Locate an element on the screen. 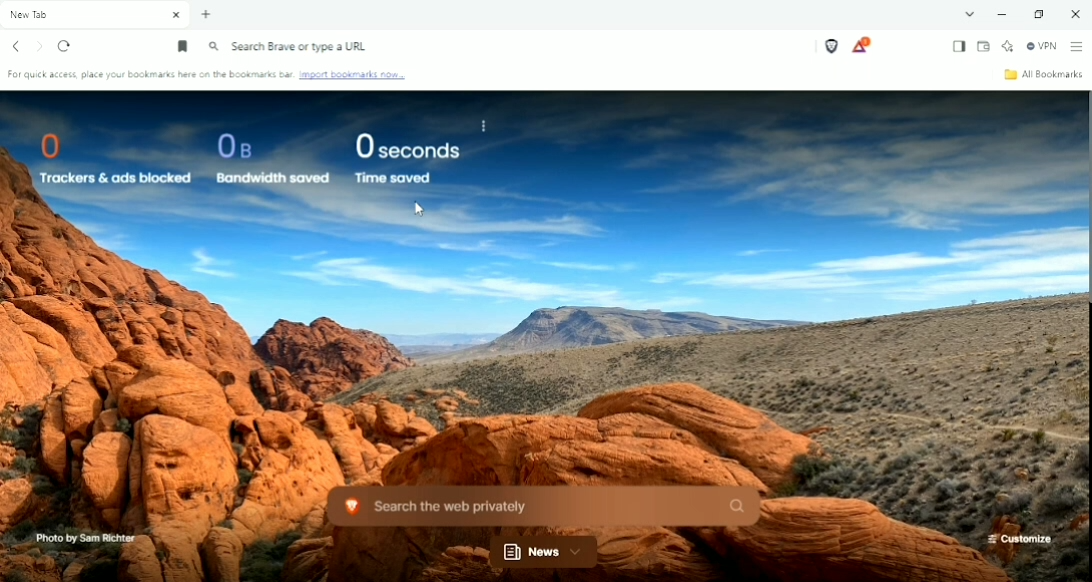  Bookmark added is located at coordinates (184, 46).